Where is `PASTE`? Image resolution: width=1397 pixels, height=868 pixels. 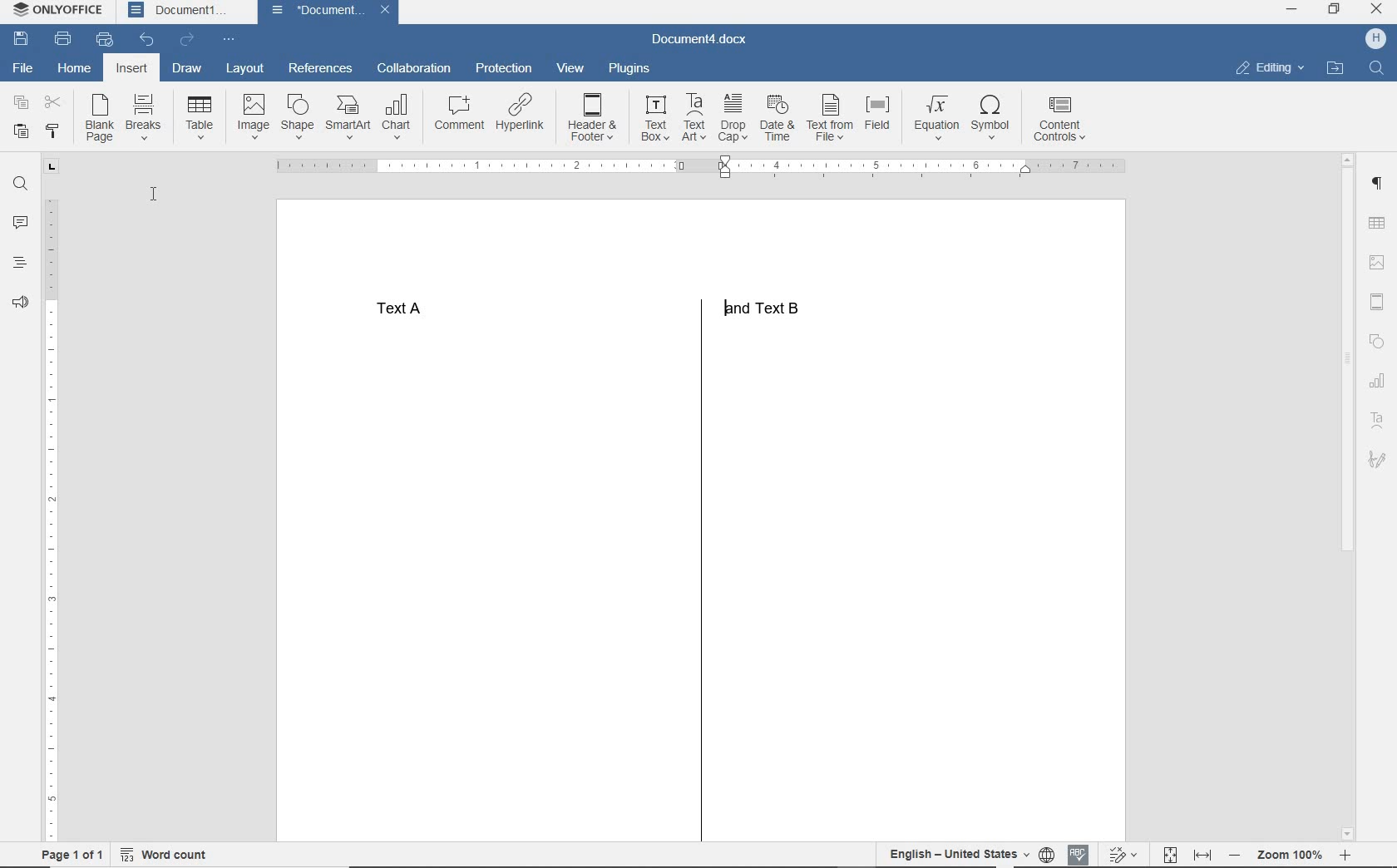 PASTE is located at coordinates (21, 131).